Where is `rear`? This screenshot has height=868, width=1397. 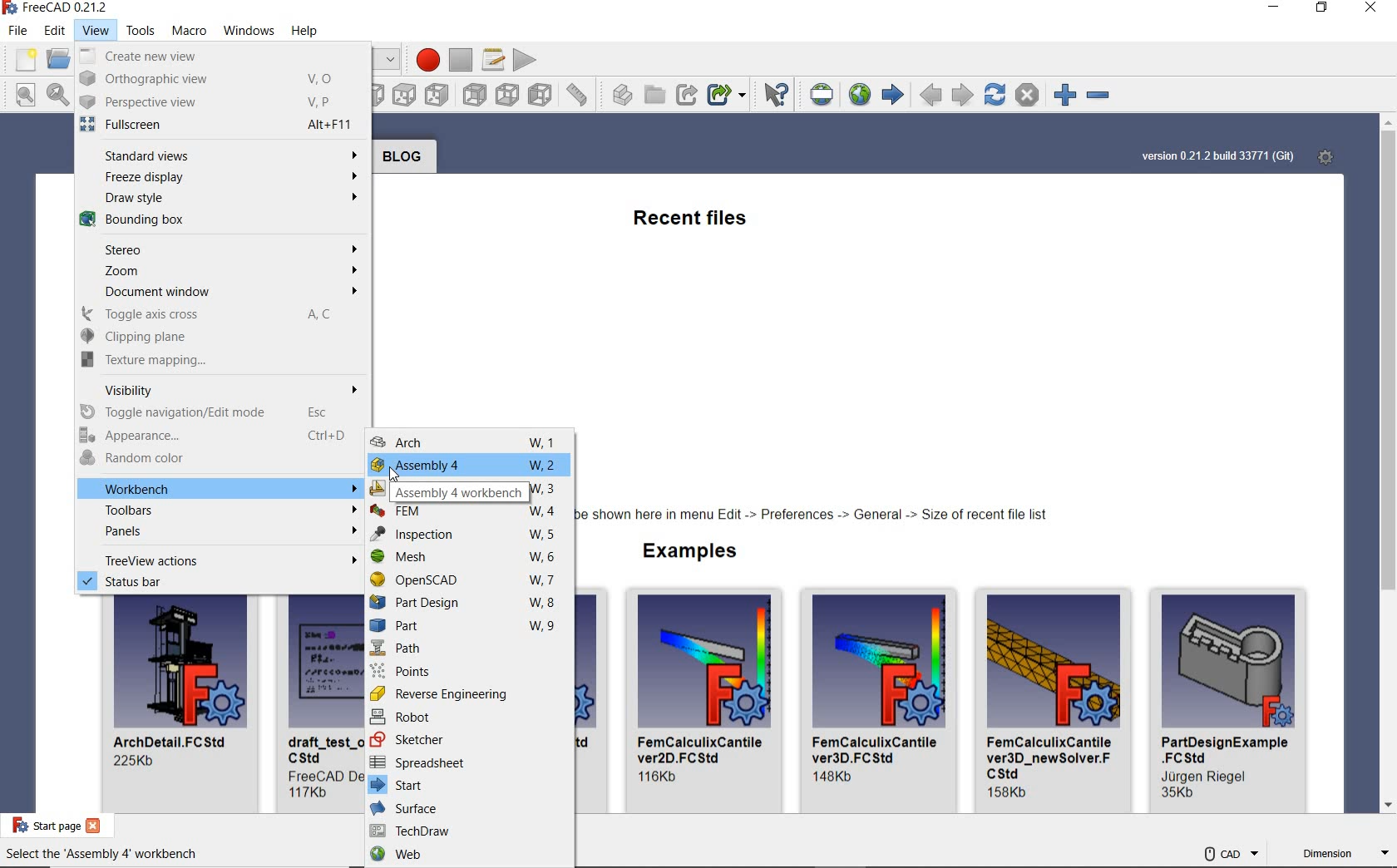 rear is located at coordinates (476, 96).